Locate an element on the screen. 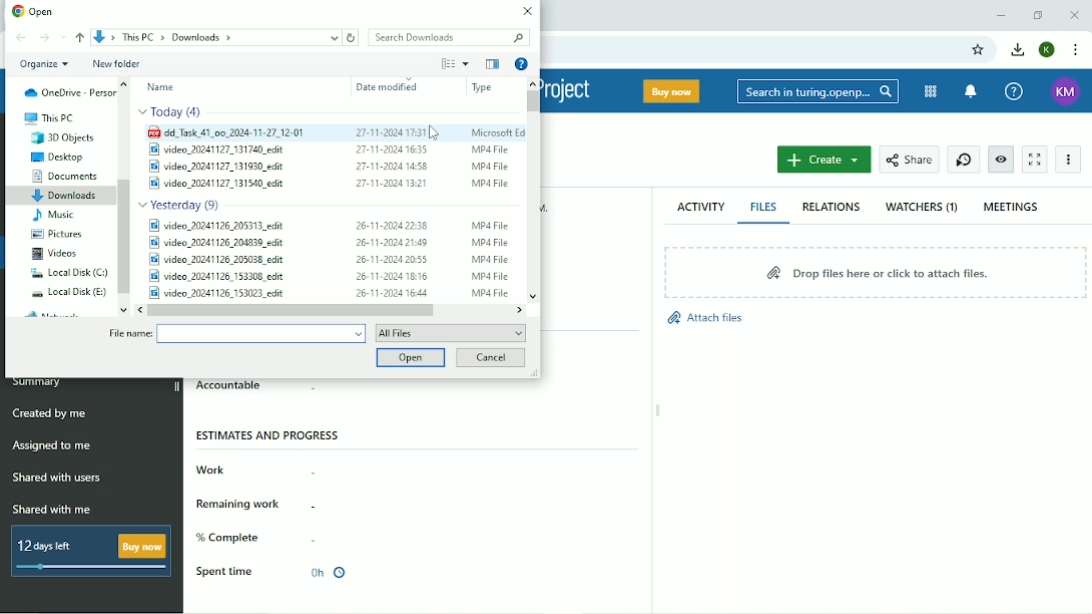 This screenshot has width=1092, height=614. File name is located at coordinates (128, 335).